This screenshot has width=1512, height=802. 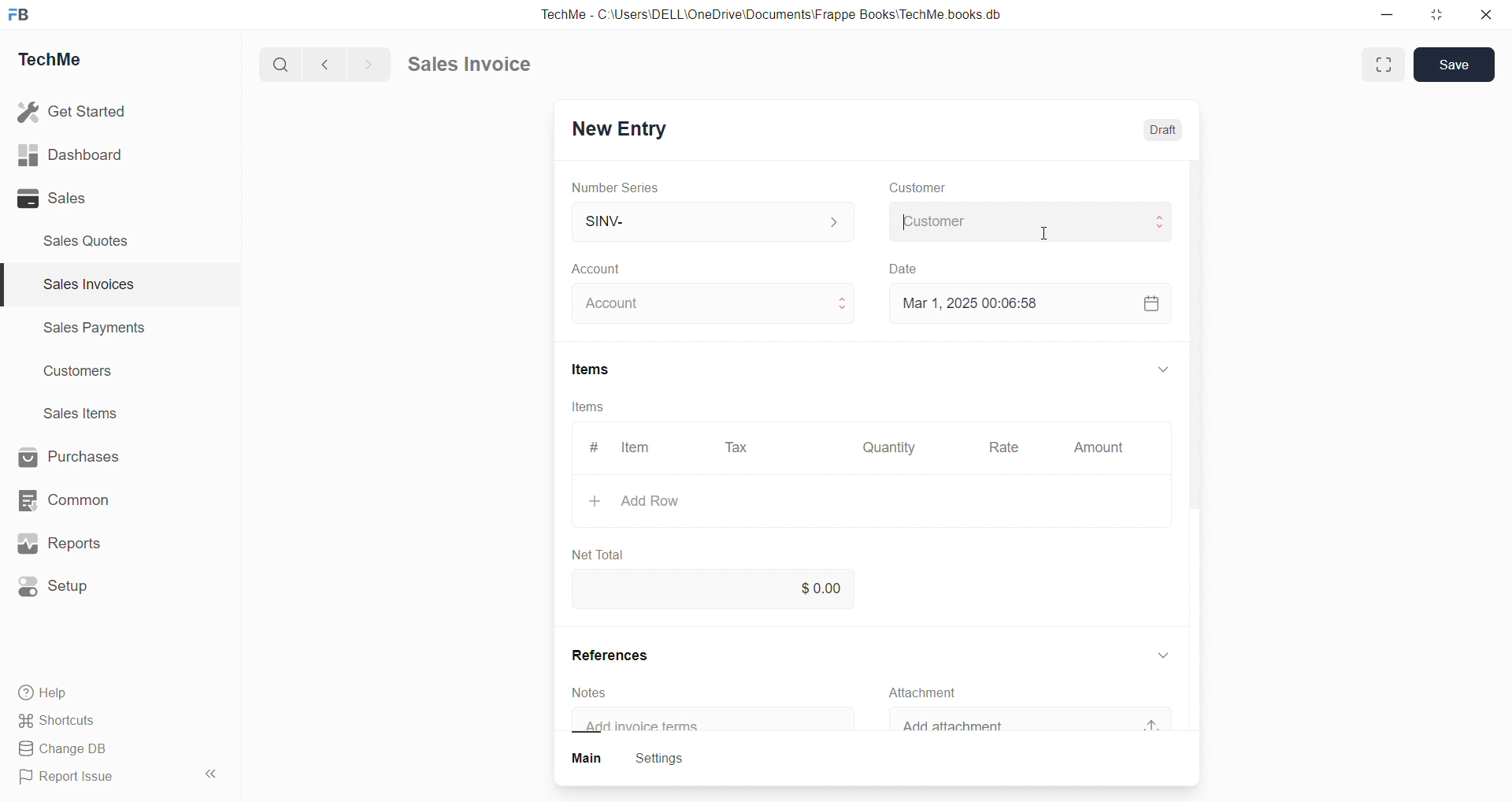 What do you see at coordinates (55, 198) in the screenshot?
I see `8 Sales` at bounding box center [55, 198].